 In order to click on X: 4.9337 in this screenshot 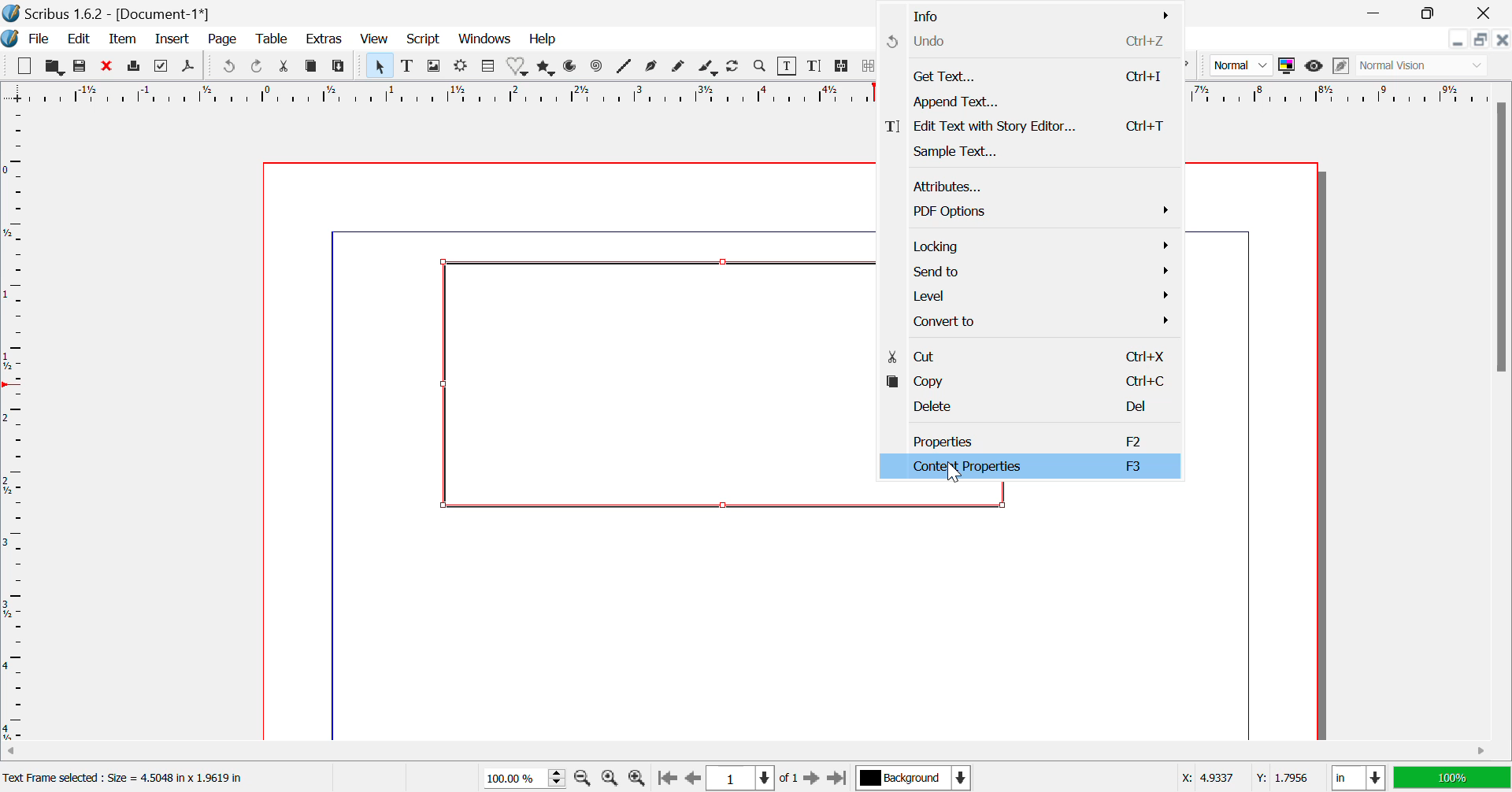, I will do `click(1203, 776)`.